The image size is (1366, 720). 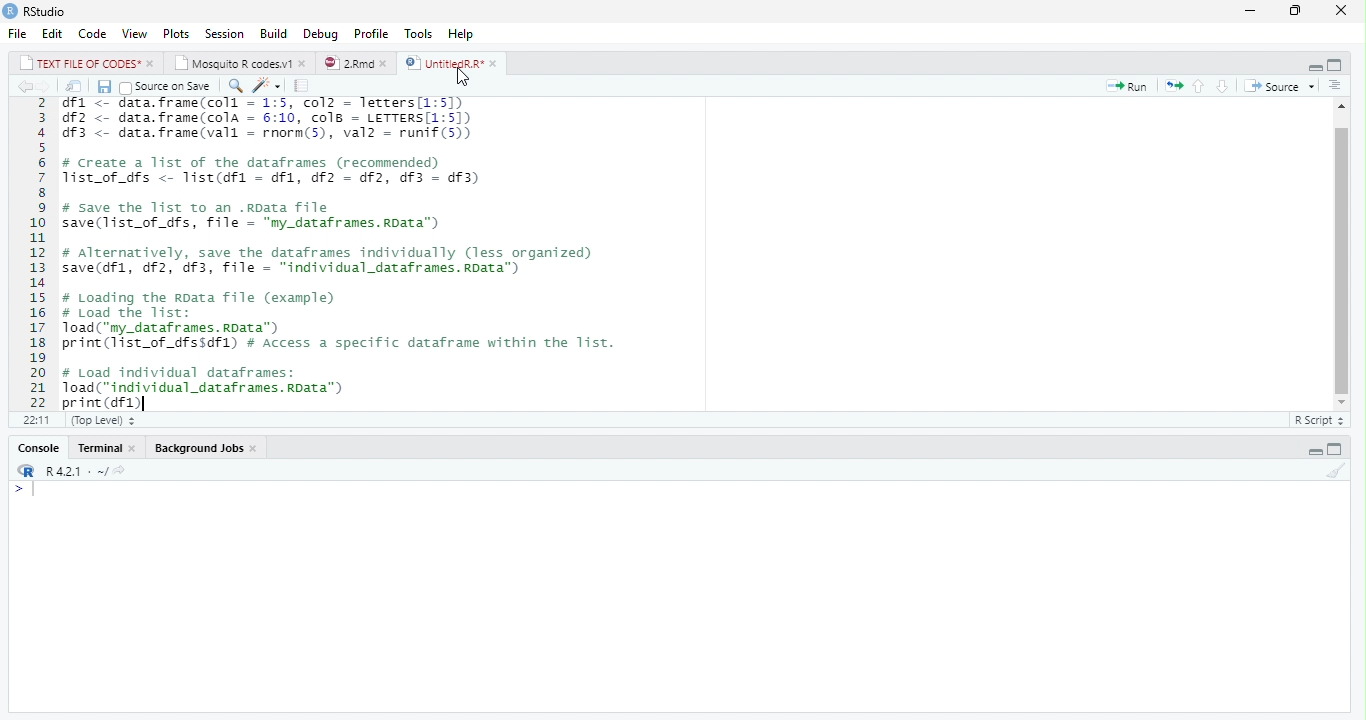 I want to click on Console, so click(x=37, y=448).